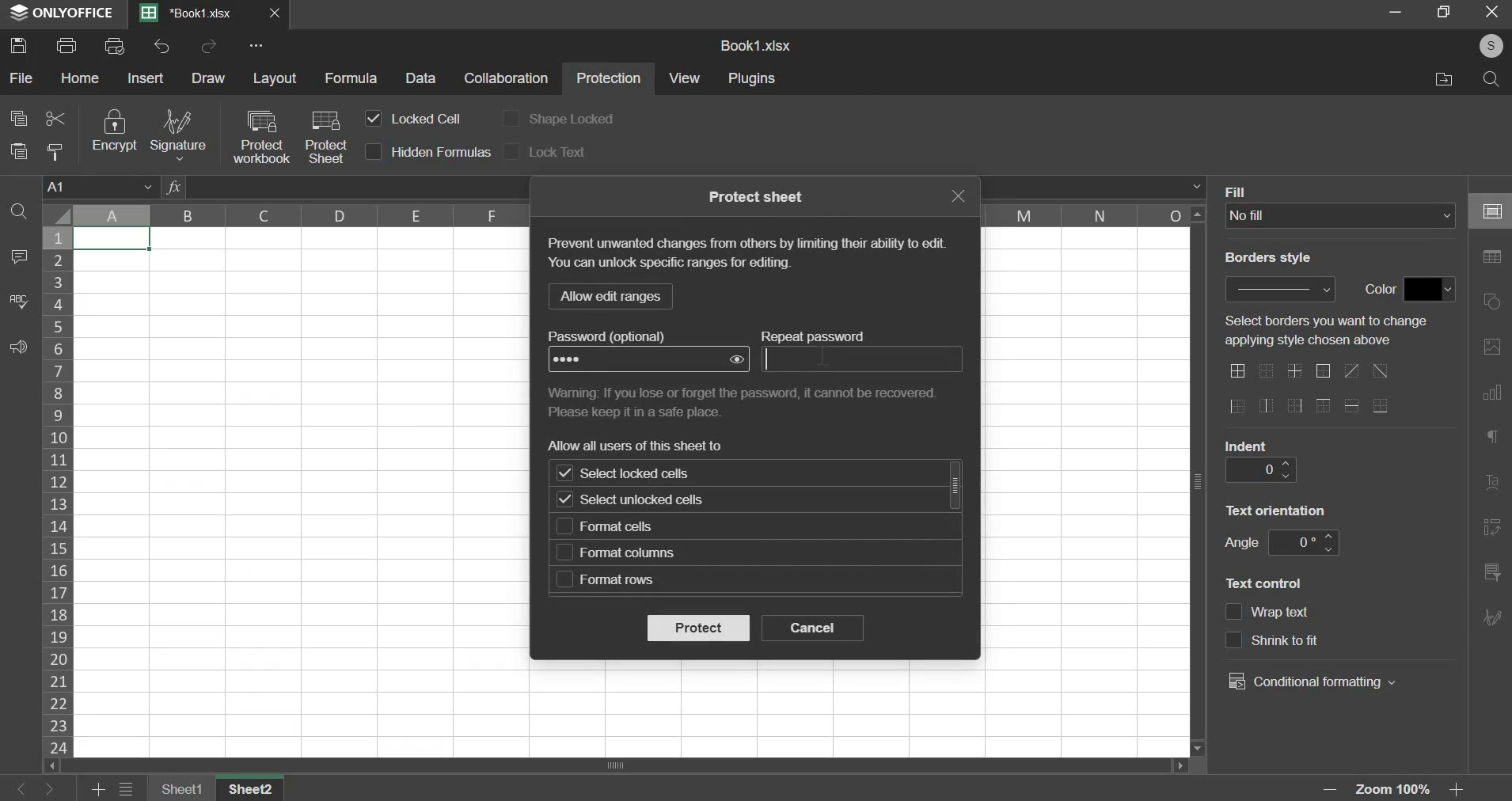 This screenshot has width=1512, height=801. What do you see at coordinates (374, 152) in the screenshot?
I see `checkbox` at bounding box center [374, 152].